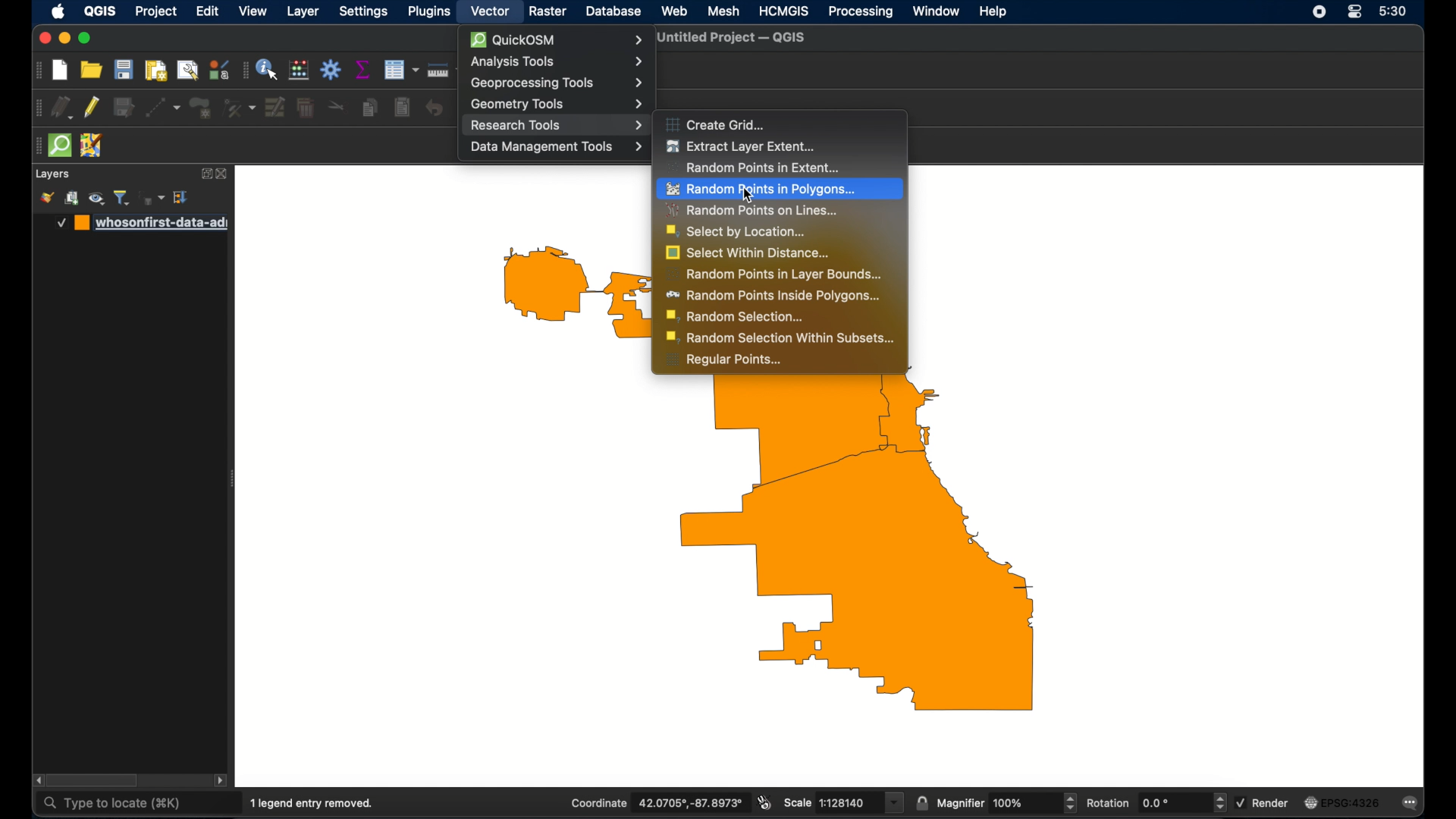 The image size is (1456, 819). I want to click on expand, so click(205, 174).